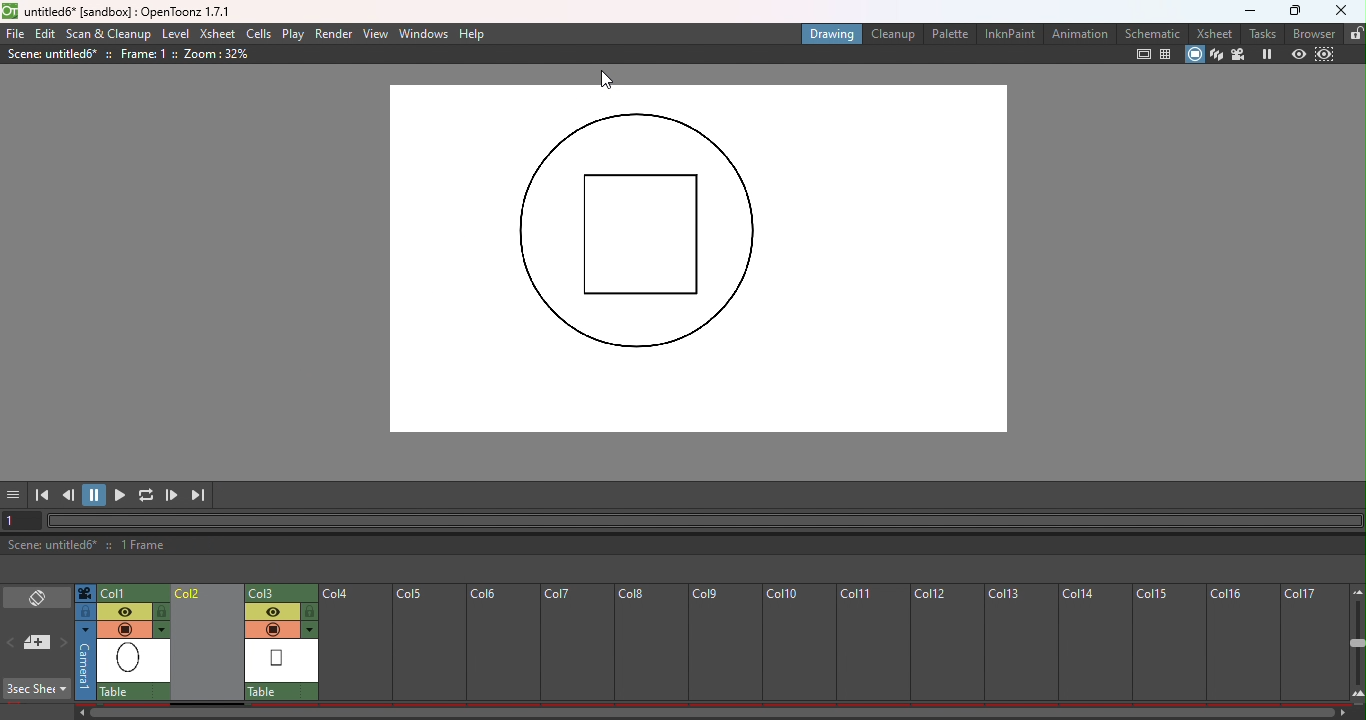  Describe the element at coordinates (87, 594) in the screenshot. I see `Click to select camera` at that location.